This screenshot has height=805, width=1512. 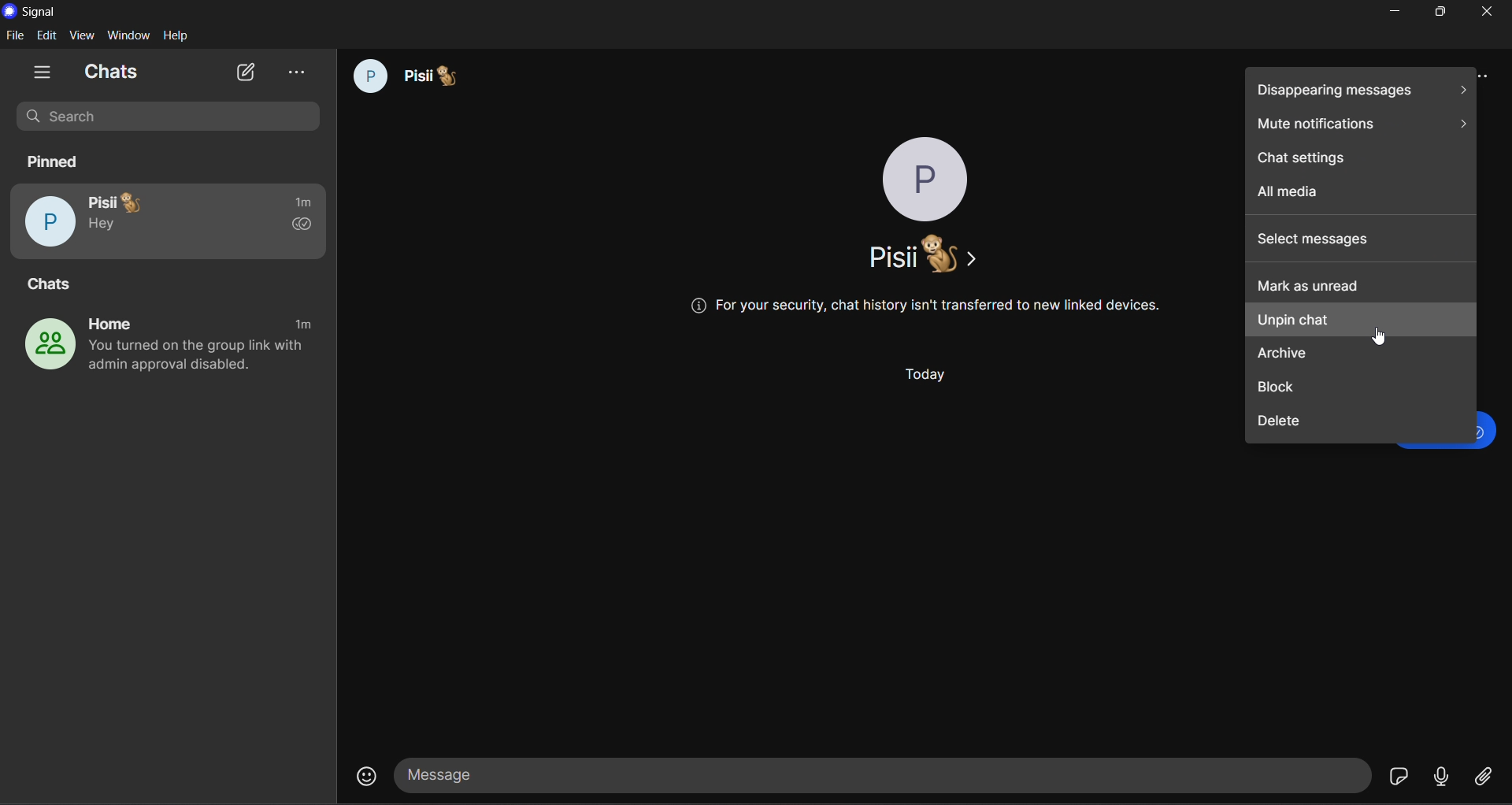 I want to click on home group chat, so click(x=171, y=348).